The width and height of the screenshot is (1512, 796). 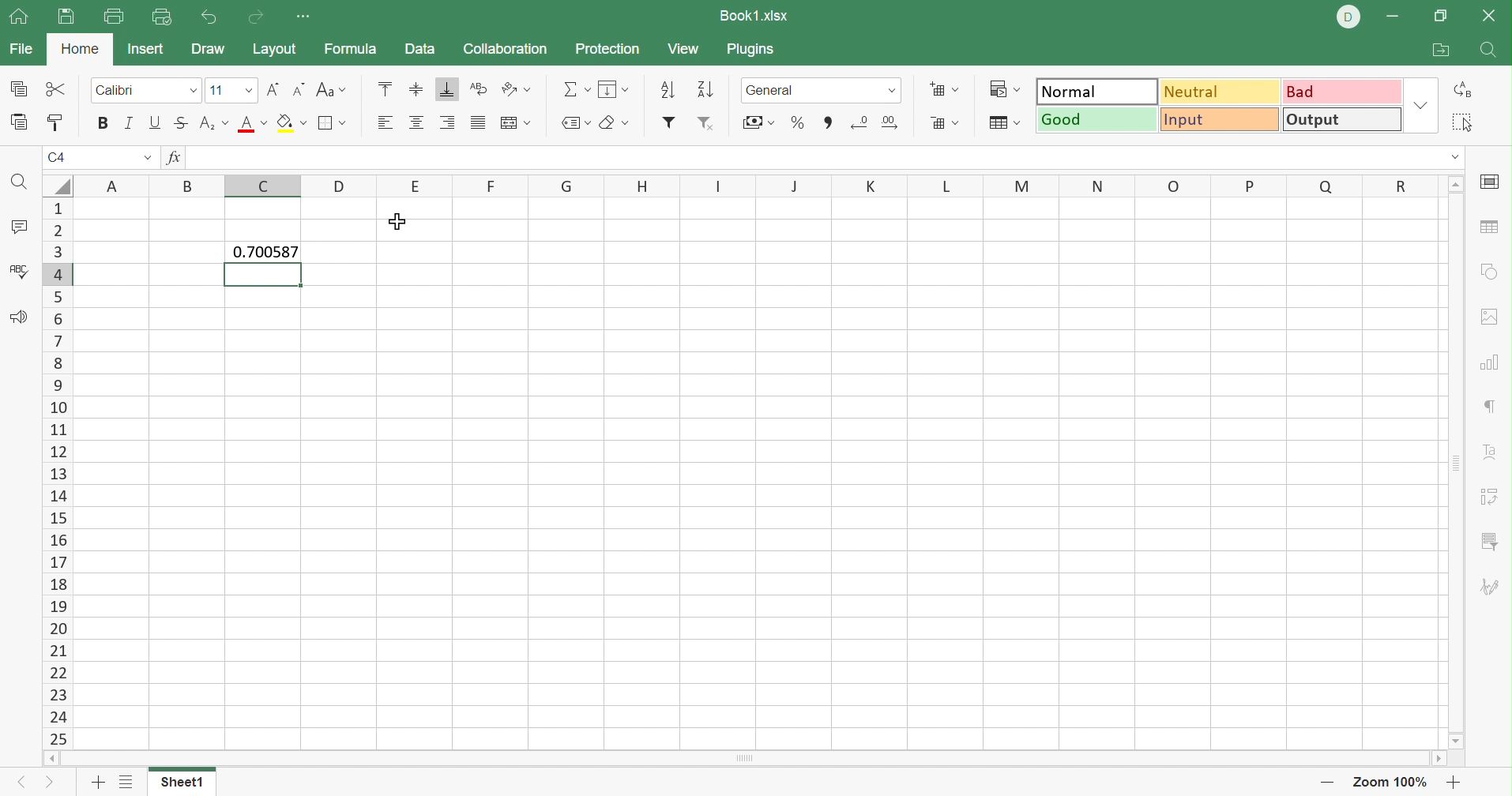 I want to click on Normal, so click(x=1097, y=93).